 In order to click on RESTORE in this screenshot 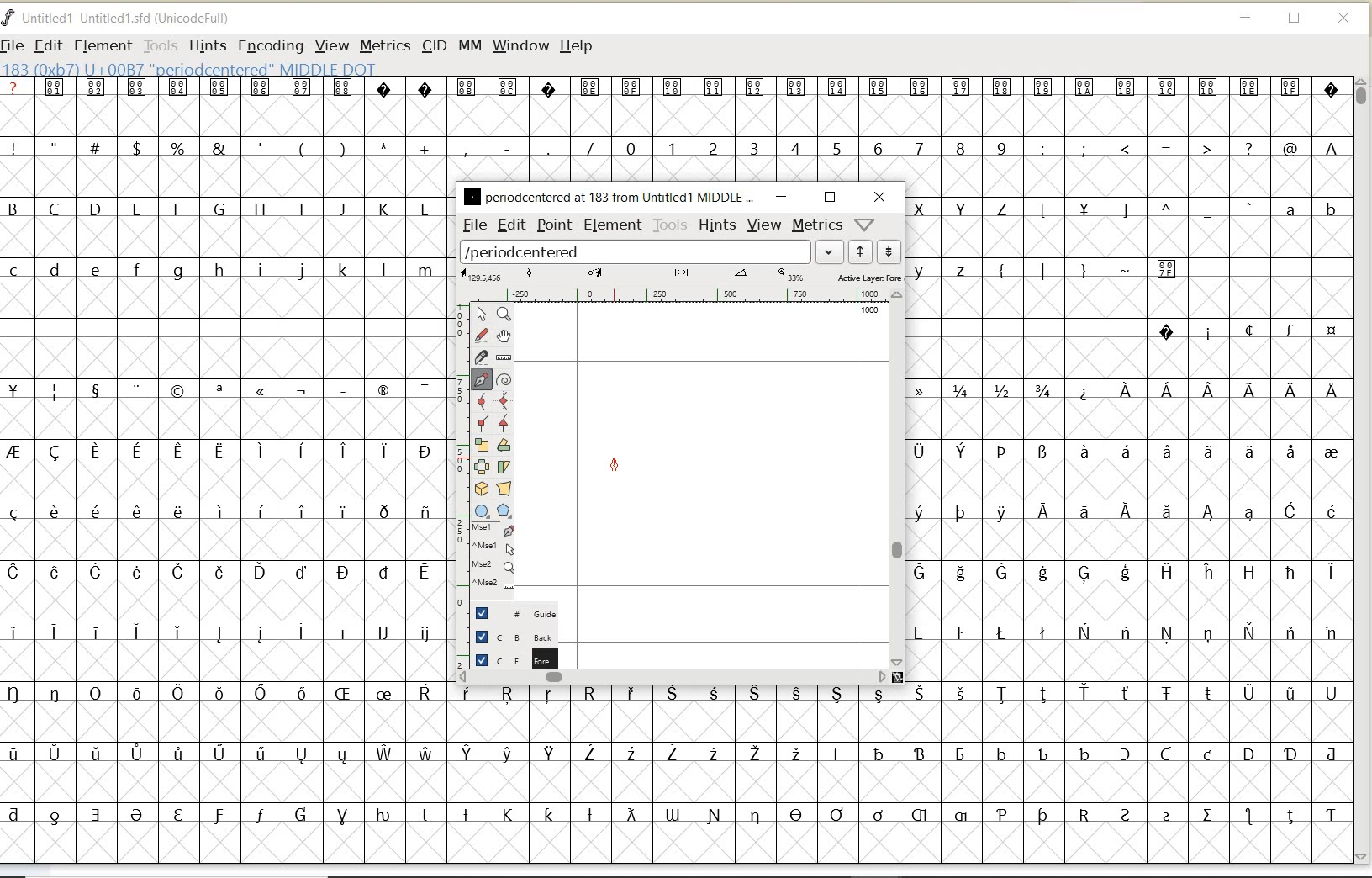, I will do `click(1295, 21)`.